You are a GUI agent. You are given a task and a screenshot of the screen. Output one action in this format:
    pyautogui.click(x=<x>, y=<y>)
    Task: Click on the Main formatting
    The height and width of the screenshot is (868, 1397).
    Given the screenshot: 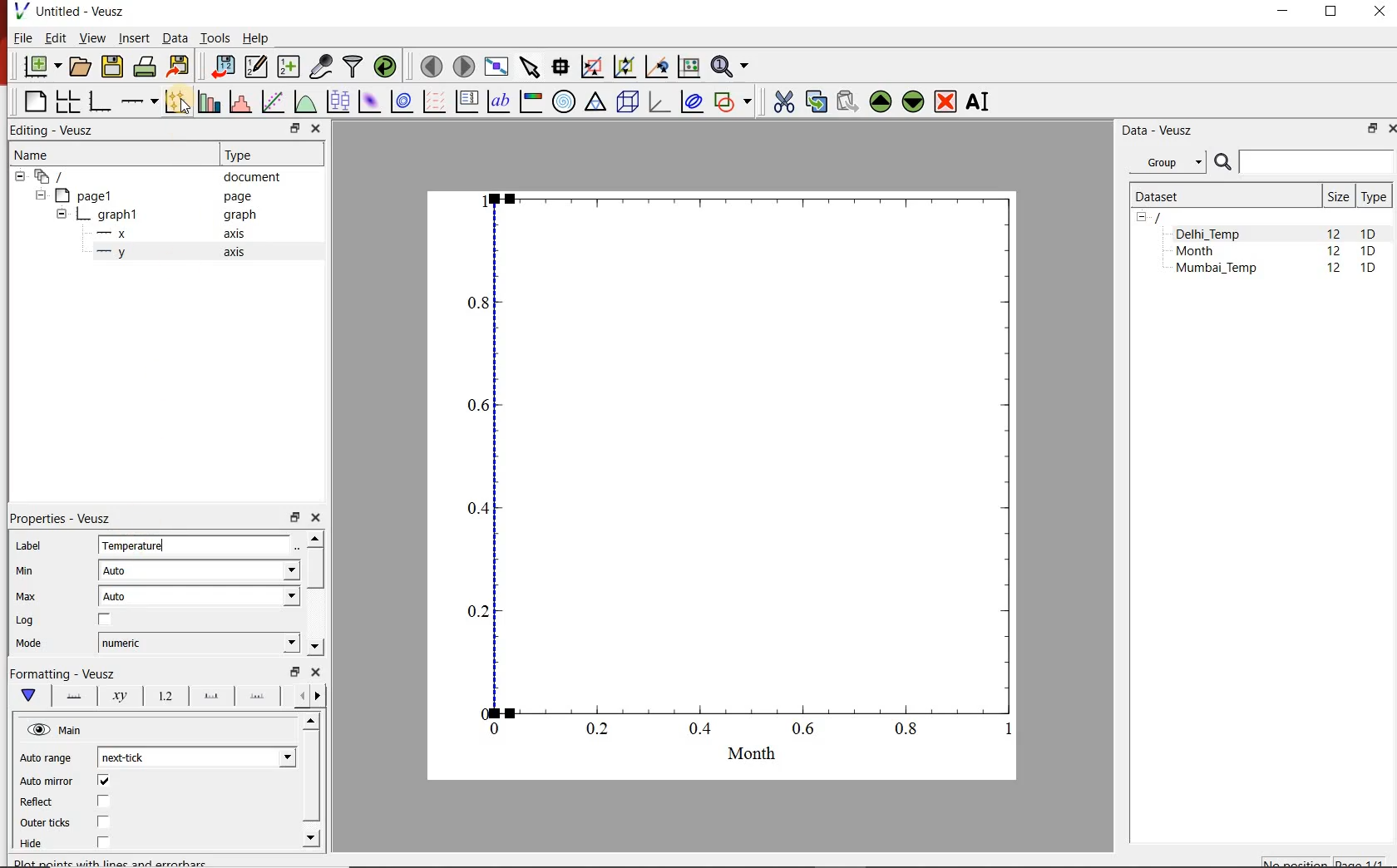 What is the action you would take?
    pyautogui.click(x=26, y=696)
    